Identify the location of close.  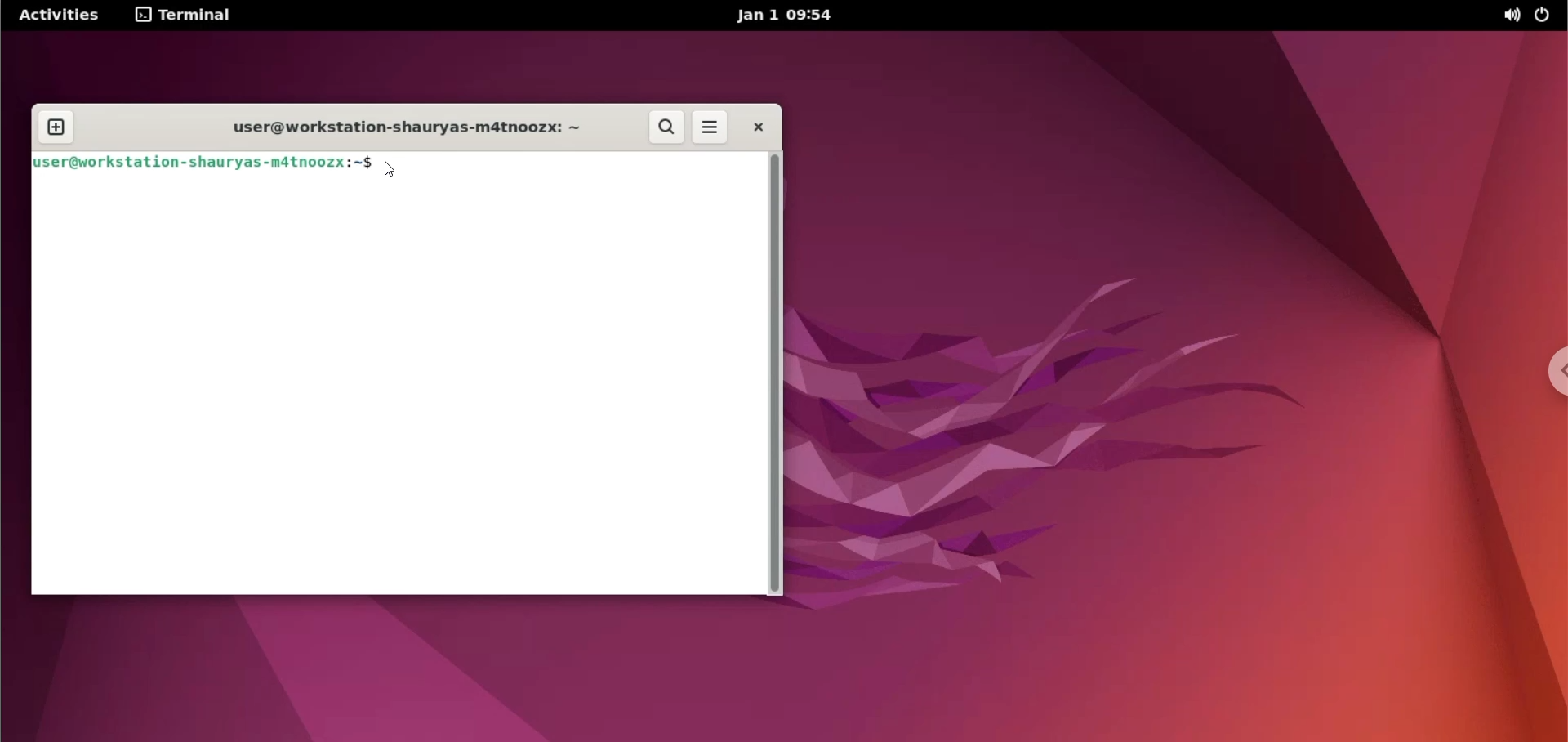
(759, 129).